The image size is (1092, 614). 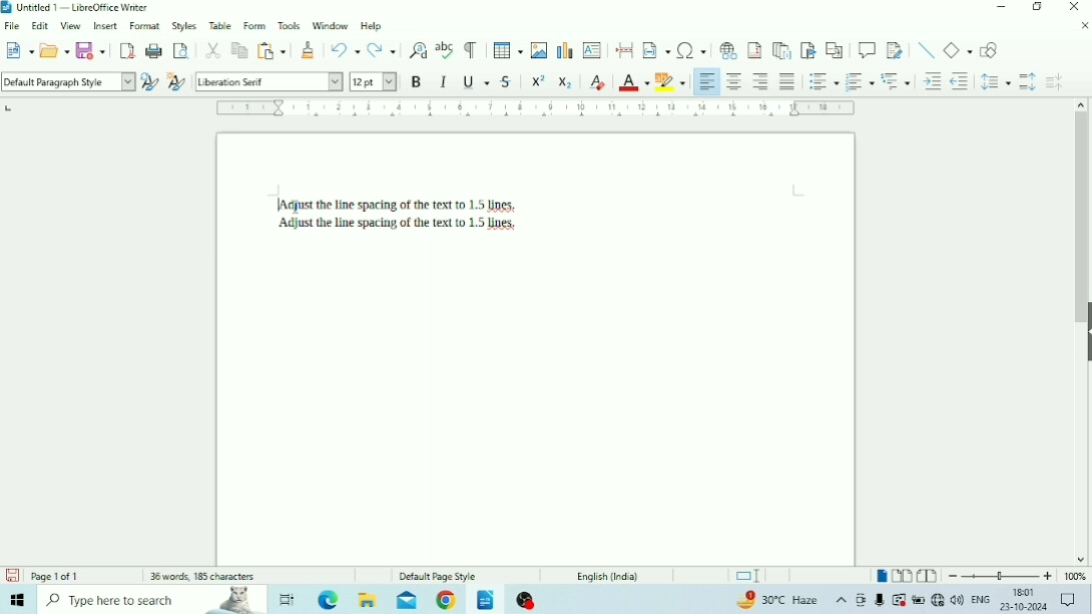 I want to click on Increase Paragraph Spacing, so click(x=1027, y=82).